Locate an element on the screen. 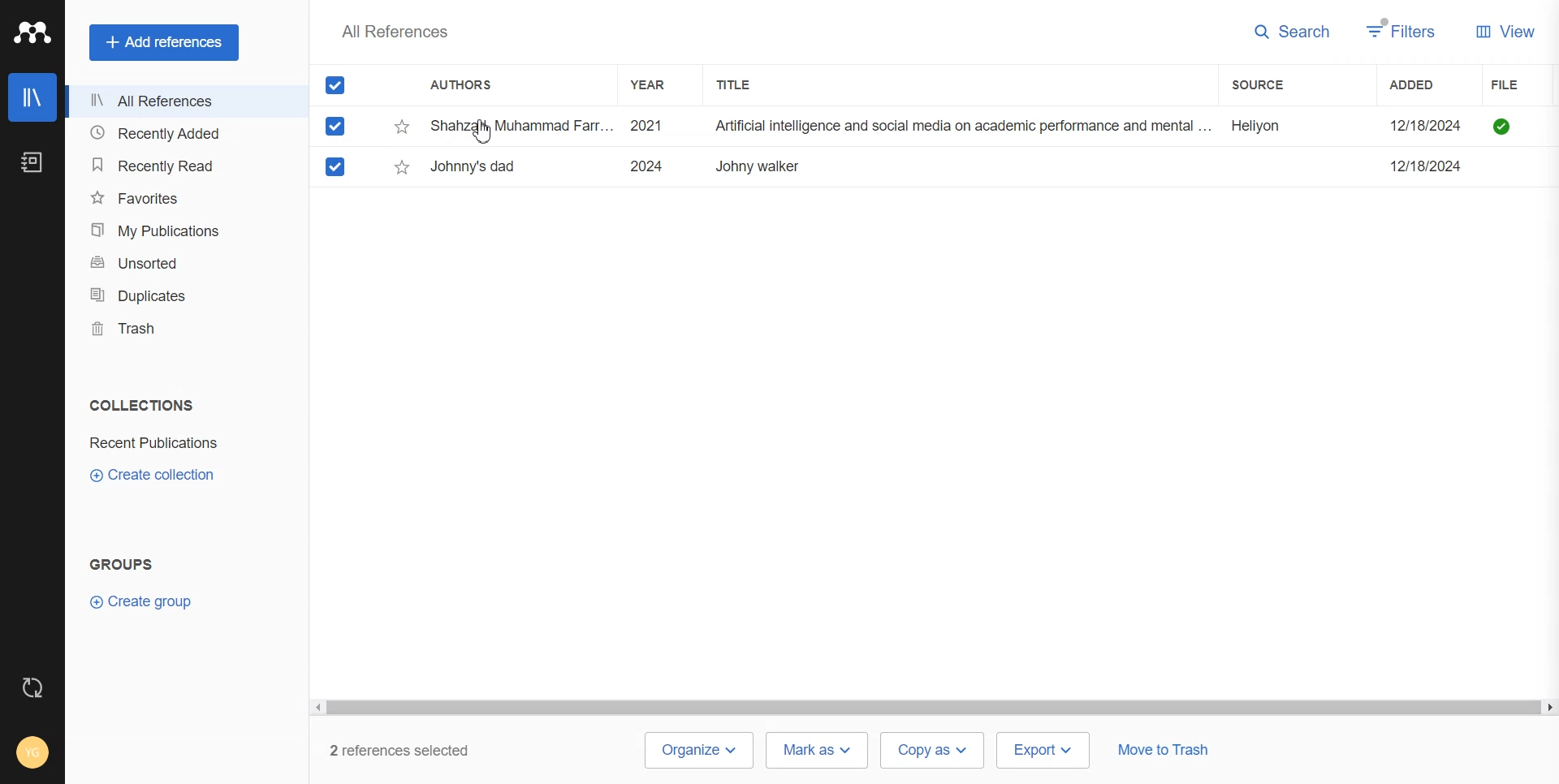 Image resolution: width=1559 pixels, height=784 pixels. Authors is located at coordinates (469, 86).